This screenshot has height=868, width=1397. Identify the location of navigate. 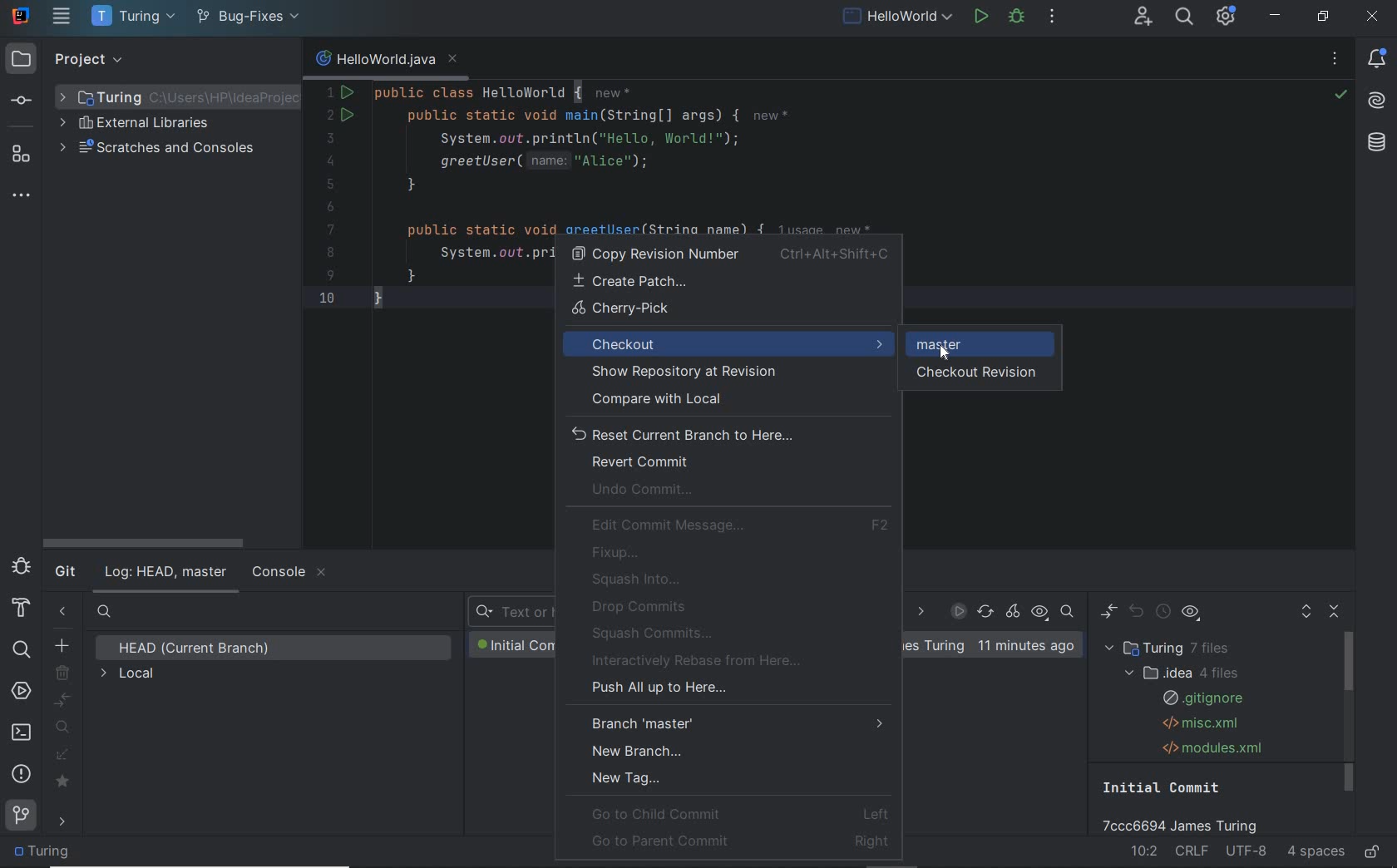
(65, 823).